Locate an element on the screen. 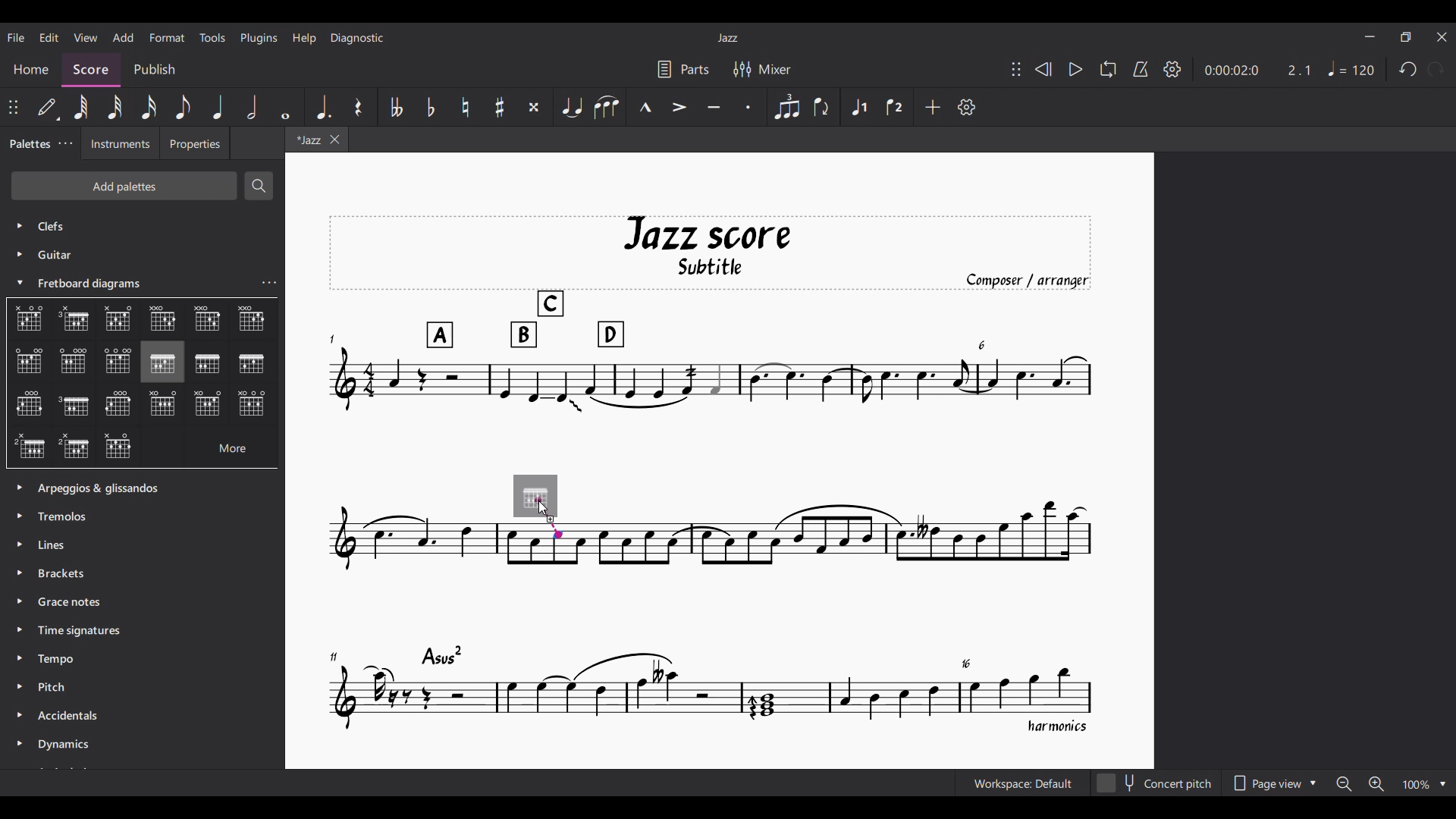 This screenshot has width=1456, height=819. Concert pitch toggle is located at coordinates (1156, 783).